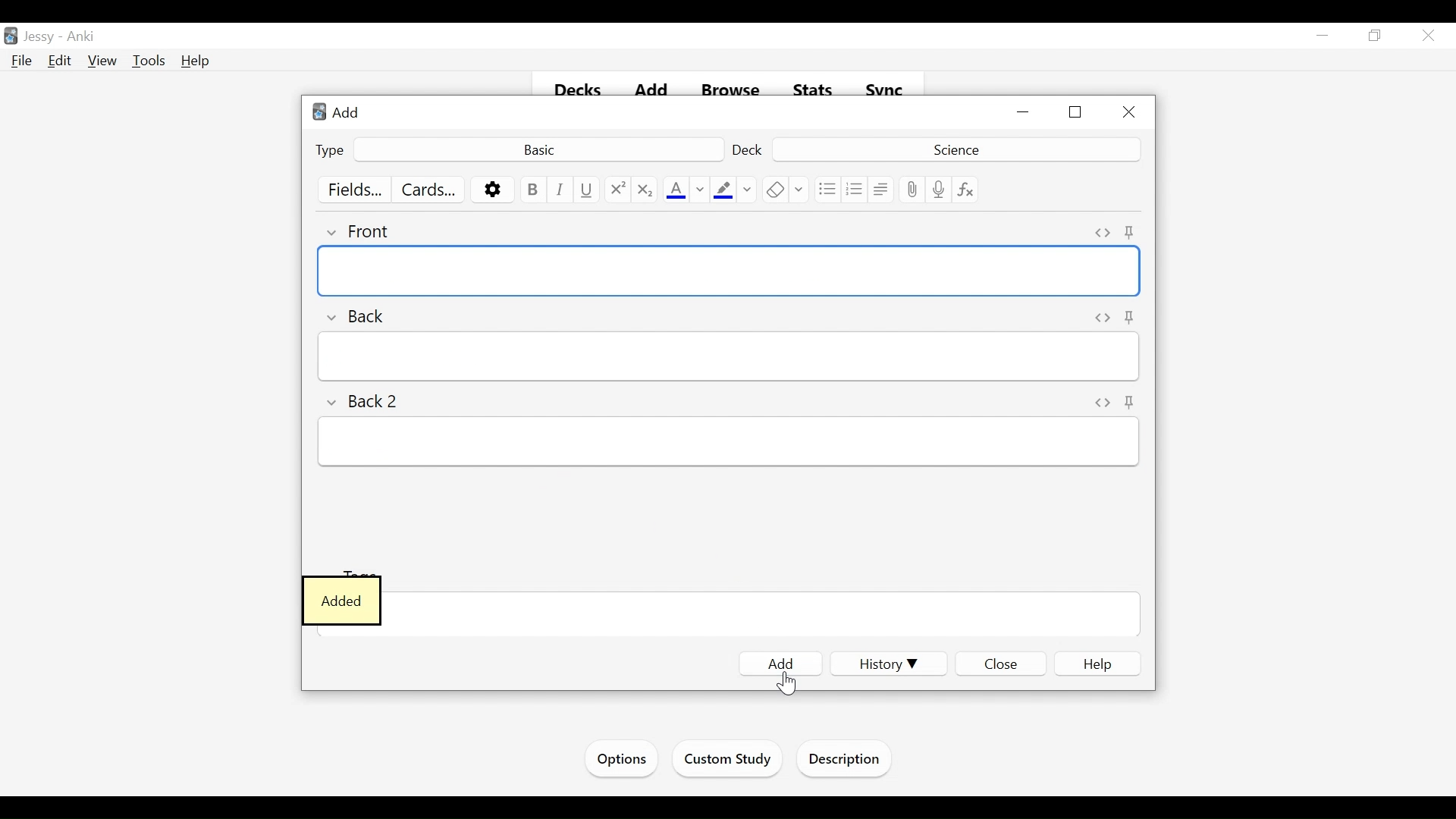 Image resolution: width=1456 pixels, height=819 pixels. What do you see at coordinates (911, 190) in the screenshot?
I see `Upload pictures/images/ files` at bounding box center [911, 190].